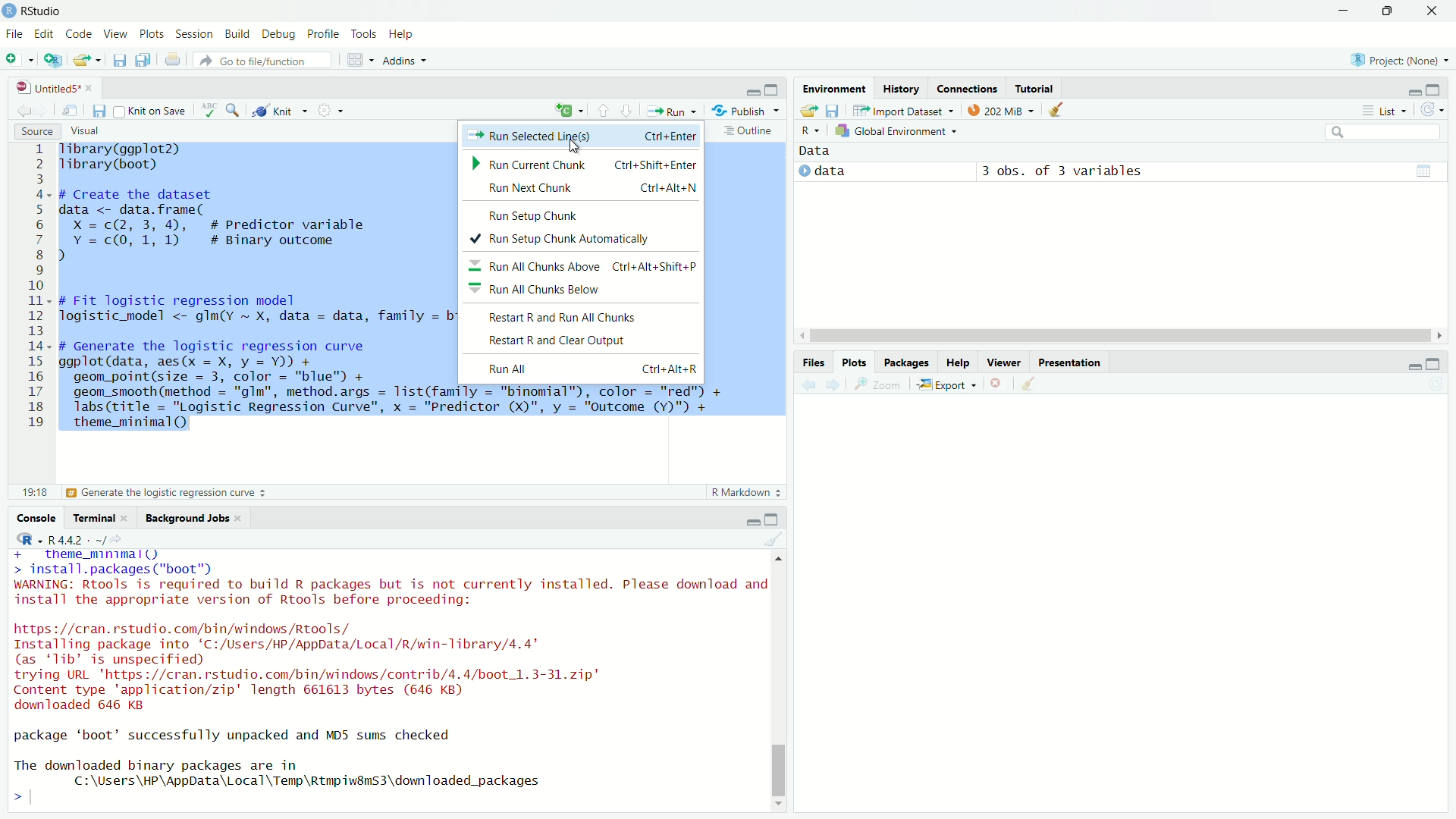 The image size is (1456, 819). What do you see at coordinates (1431, 11) in the screenshot?
I see `close` at bounding box center [1431, 11].